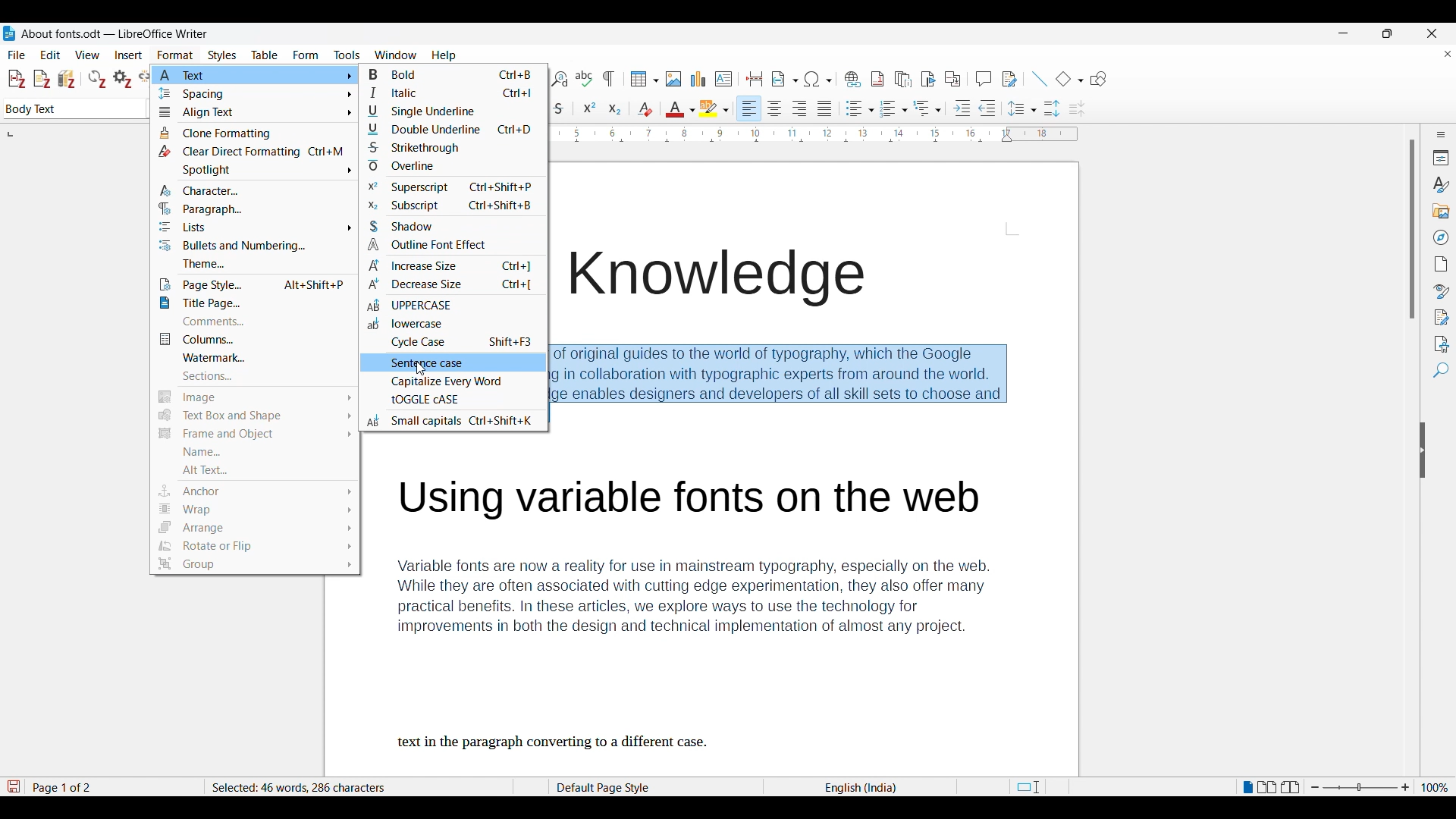 The height and width of the screenshot is (819, 1456). Describe the element at coordinates (310, 787) in the screenshot. I see `Words and character count of selected text` at that location.